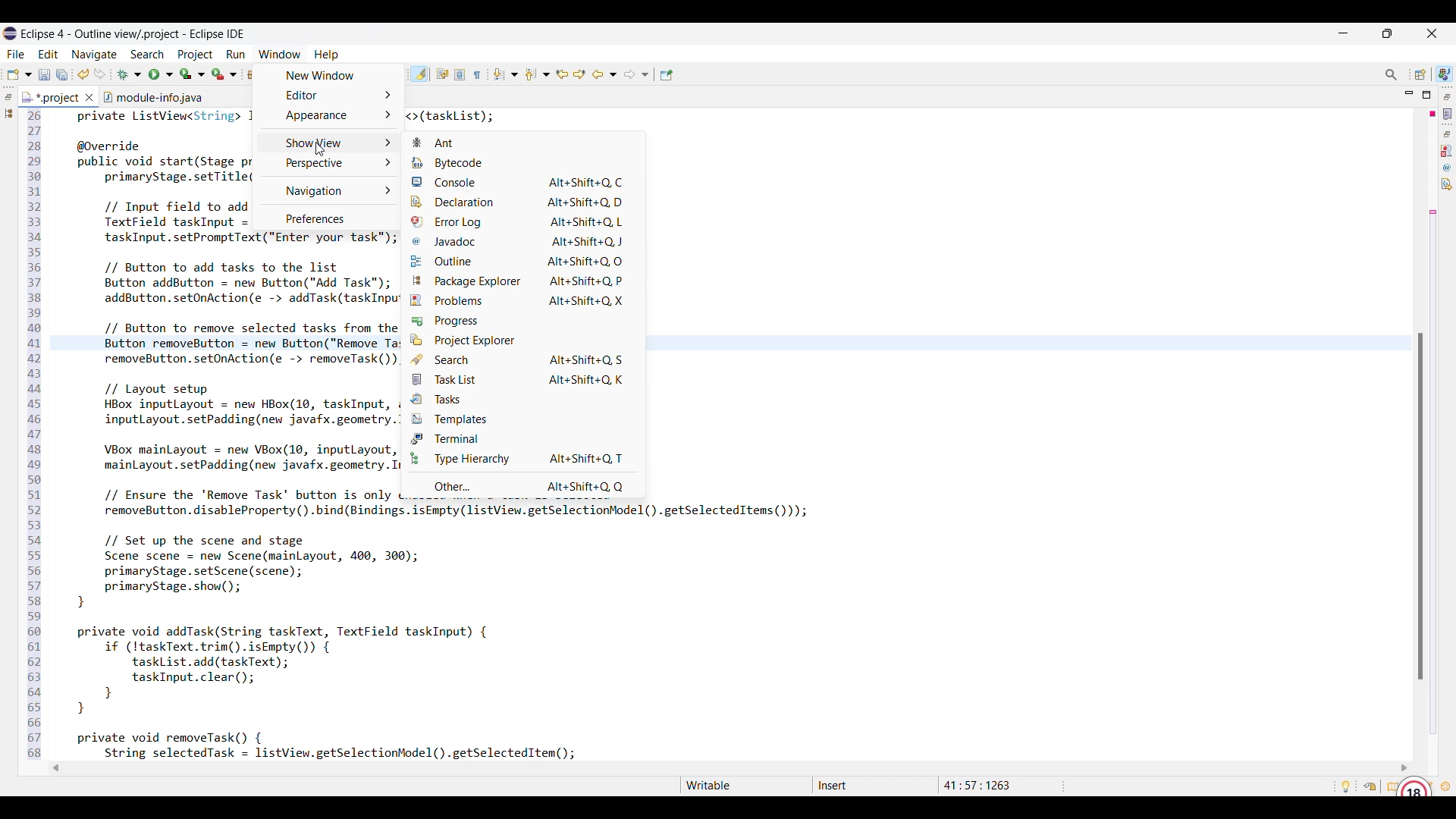  What do you see at coordinates (562, 74) in the screenshot?
I see `Previous edit location` at bounding box center [562, 74].